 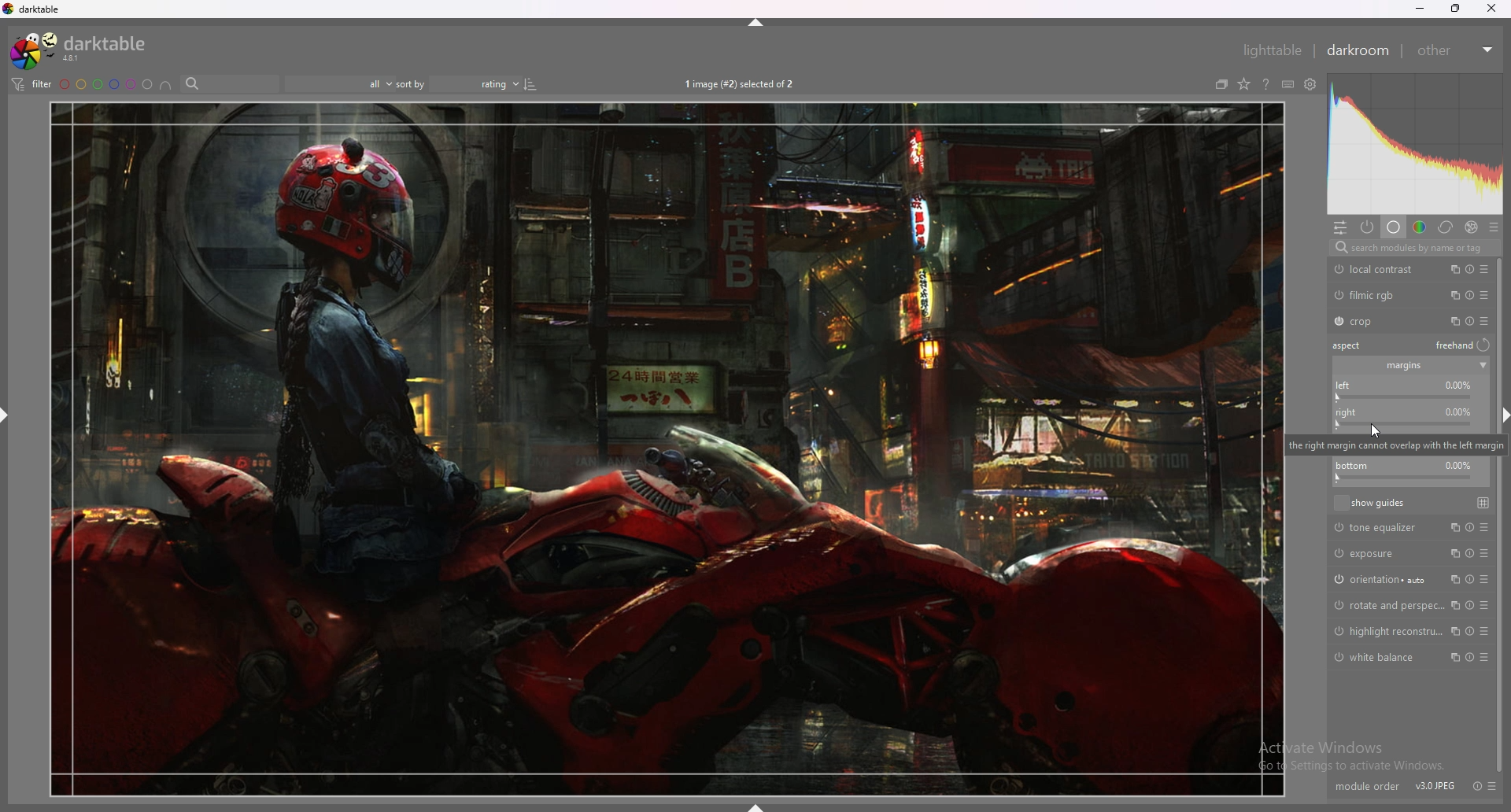 What do you see at coordinates (1379, 322) in the screenshot?
I see `crop` at bounding box center [1379, 322].